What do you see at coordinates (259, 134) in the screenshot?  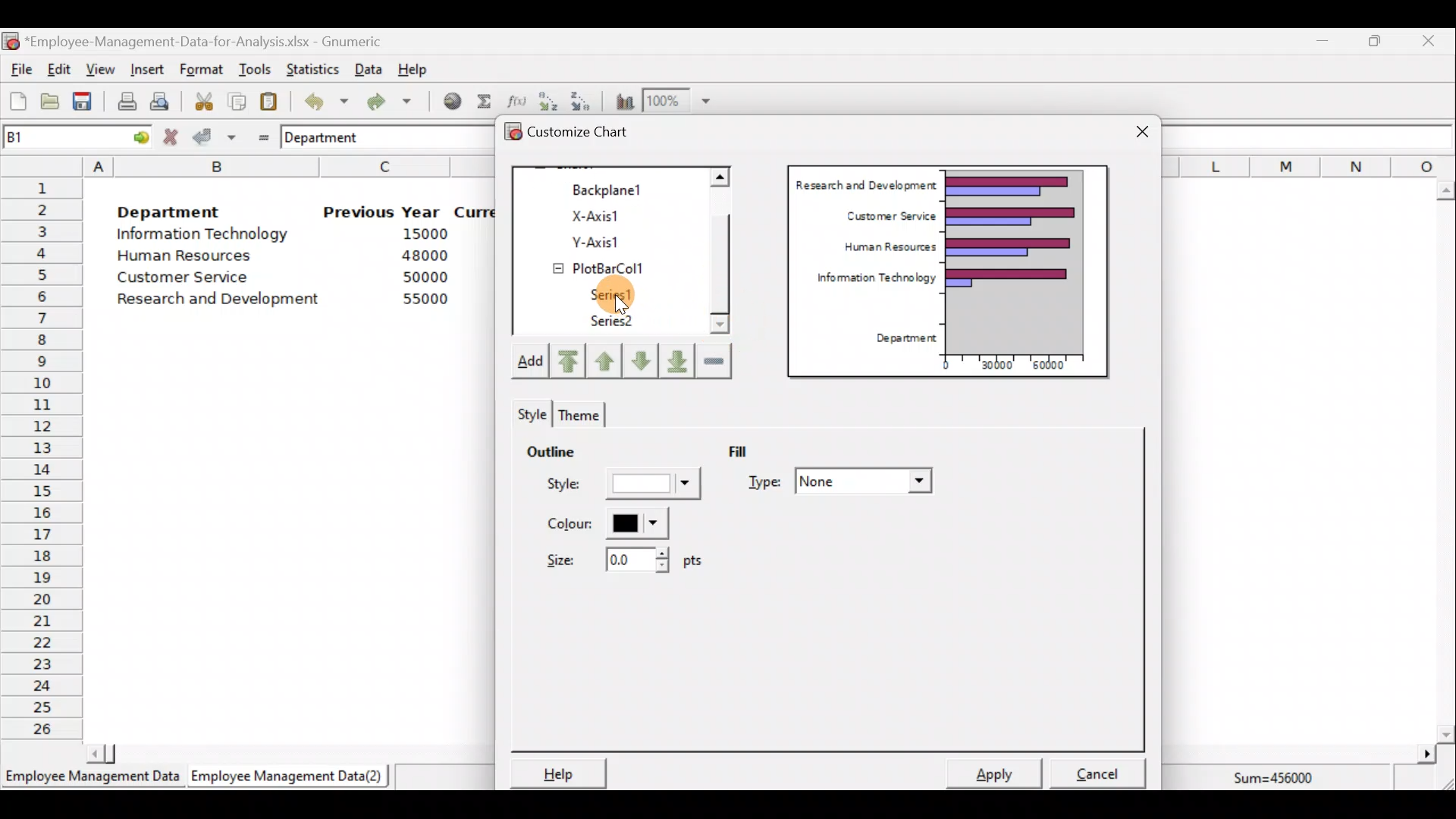 I see `Enter formula` at bounding box center [259, 134].